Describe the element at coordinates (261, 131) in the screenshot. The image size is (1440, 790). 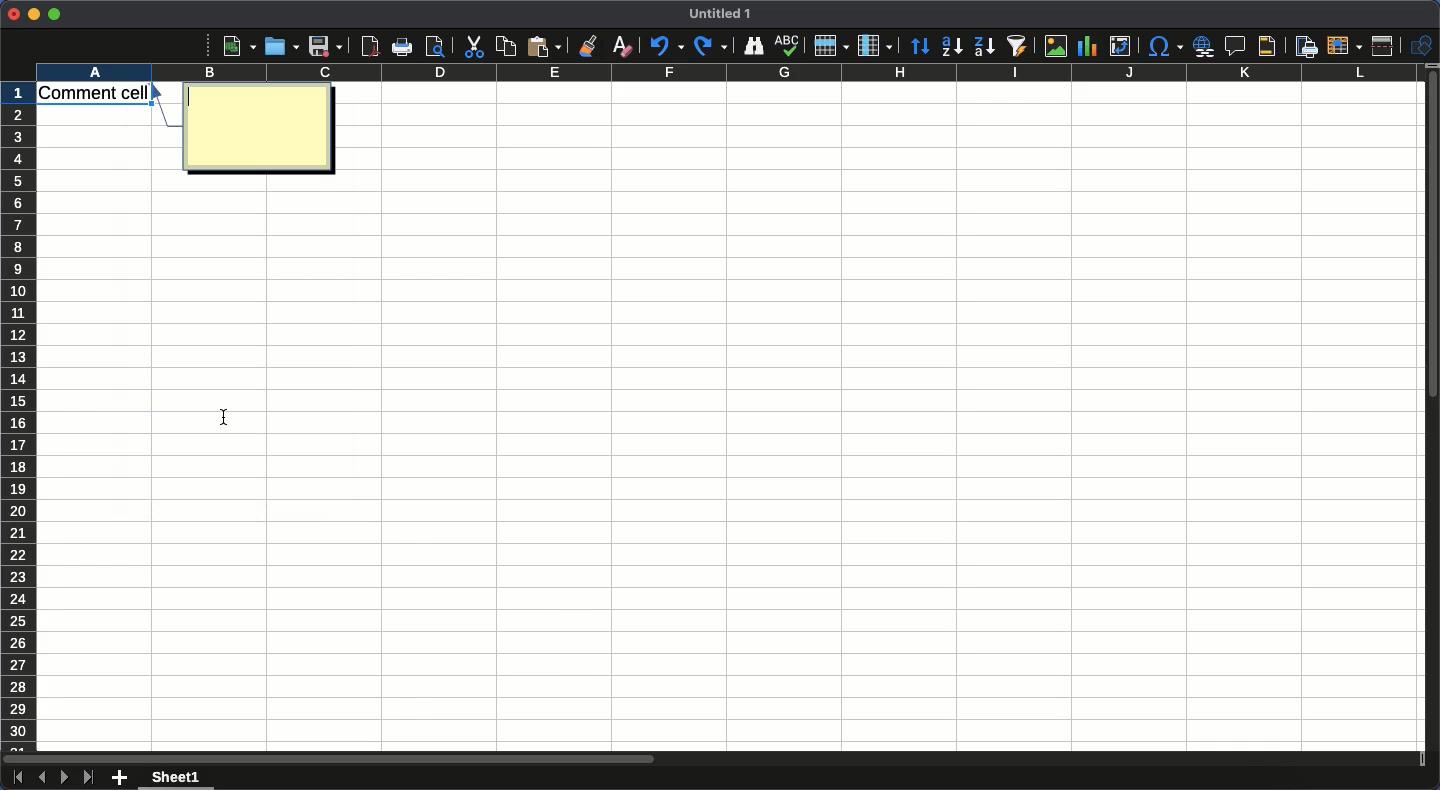
I see `Custom comment box for cell` at that location.